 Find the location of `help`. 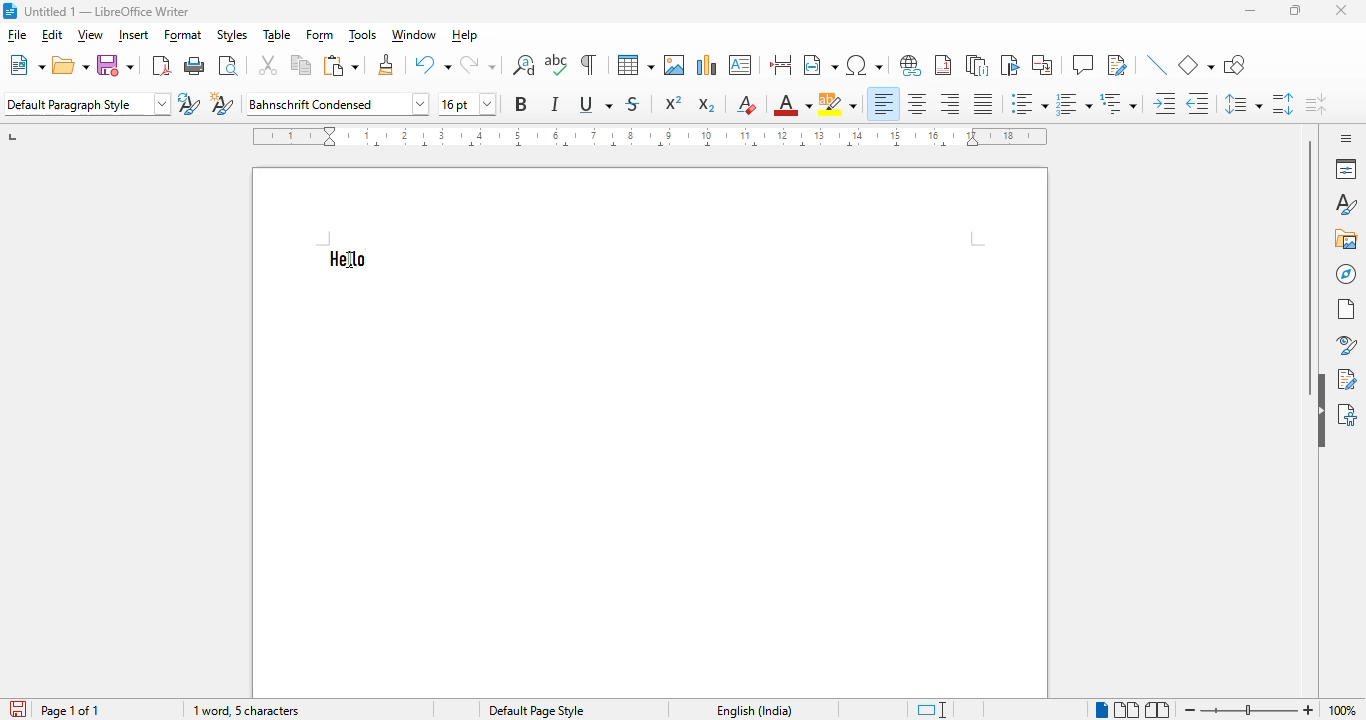

help is located at coordinates (466, 36).